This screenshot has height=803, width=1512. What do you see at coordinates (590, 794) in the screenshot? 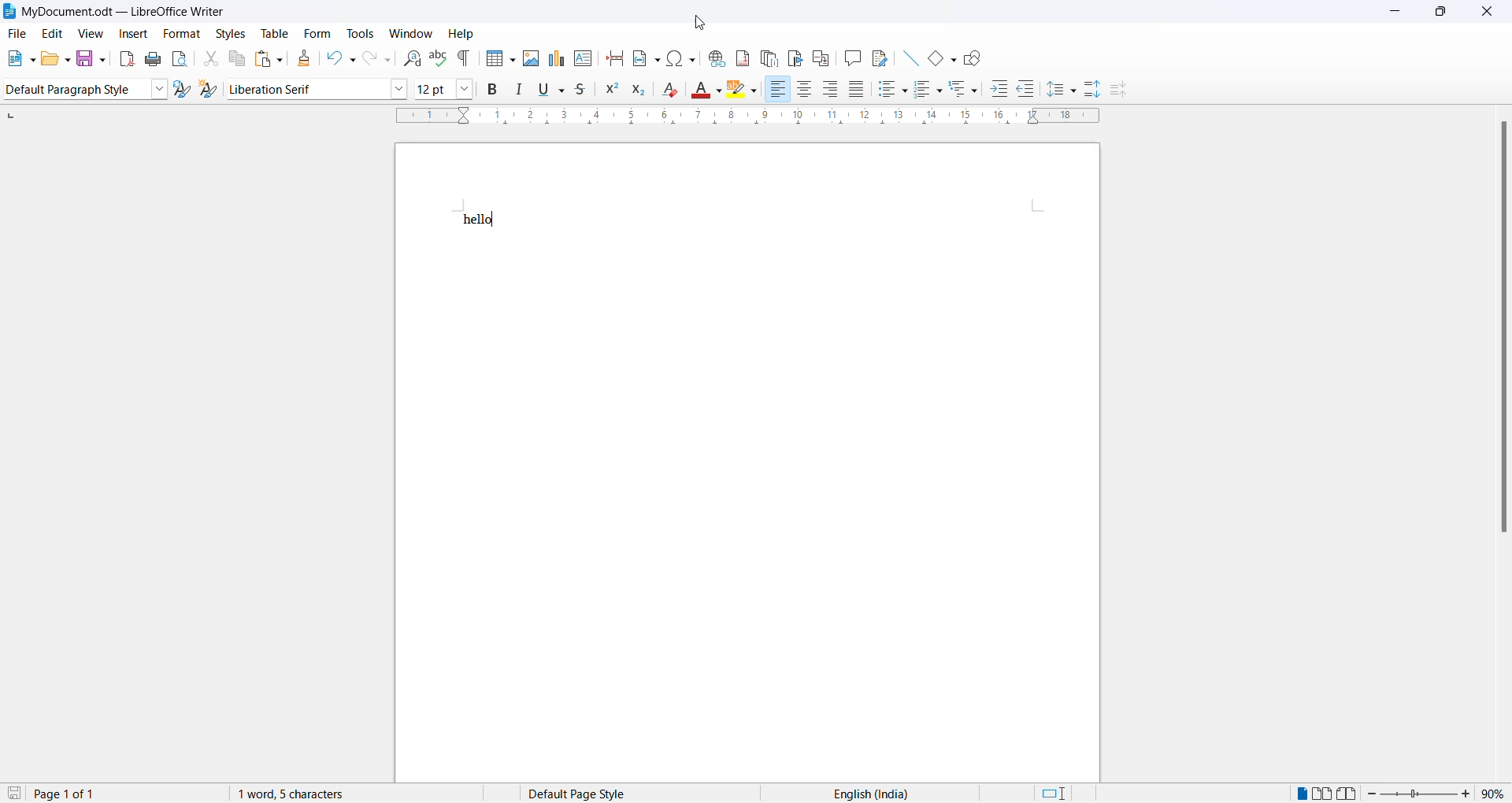
I see `Selected pages style` at bounding box center [590, 794].